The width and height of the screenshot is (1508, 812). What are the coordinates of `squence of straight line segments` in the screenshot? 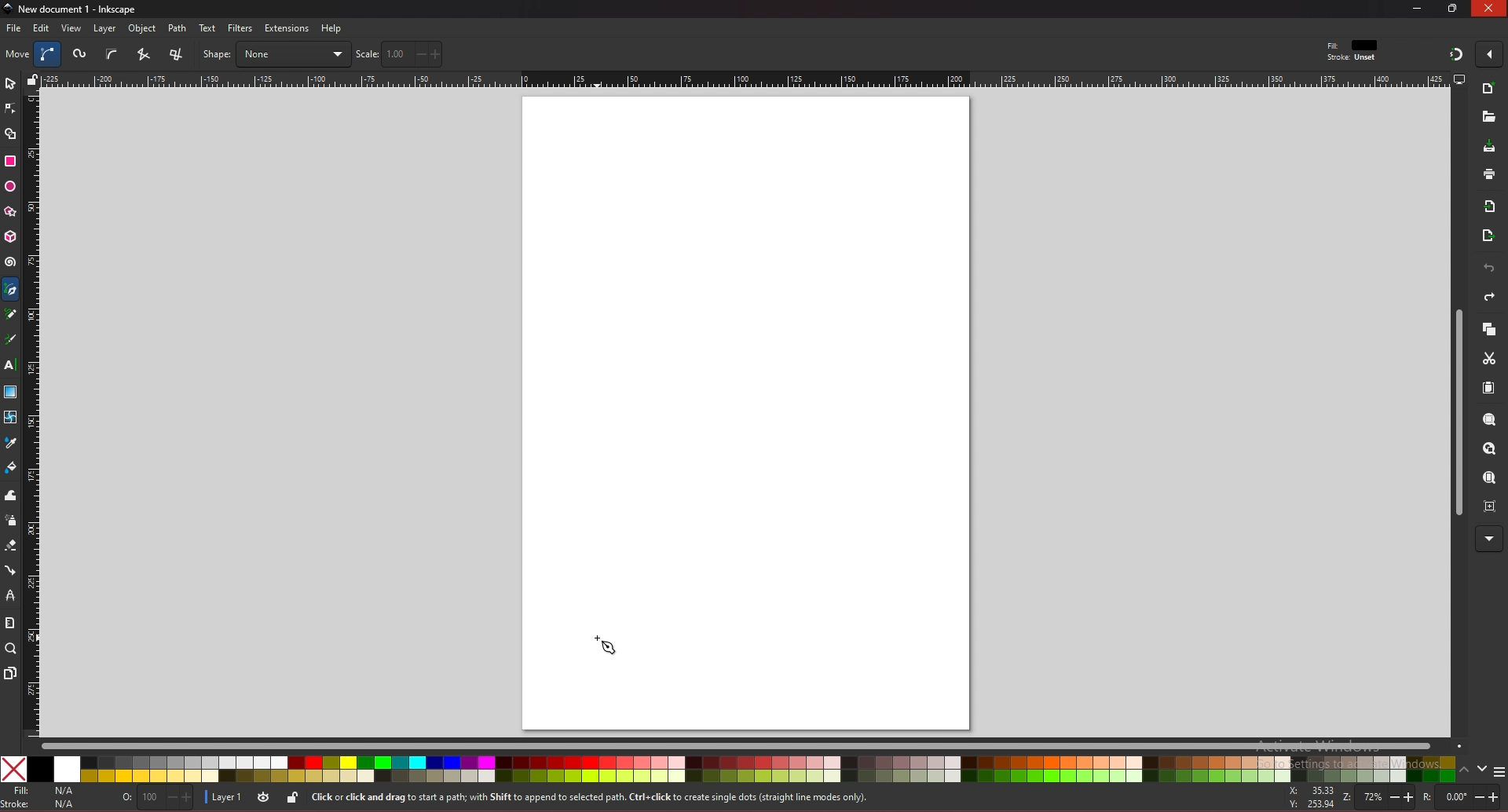 It's located at (143, 54).